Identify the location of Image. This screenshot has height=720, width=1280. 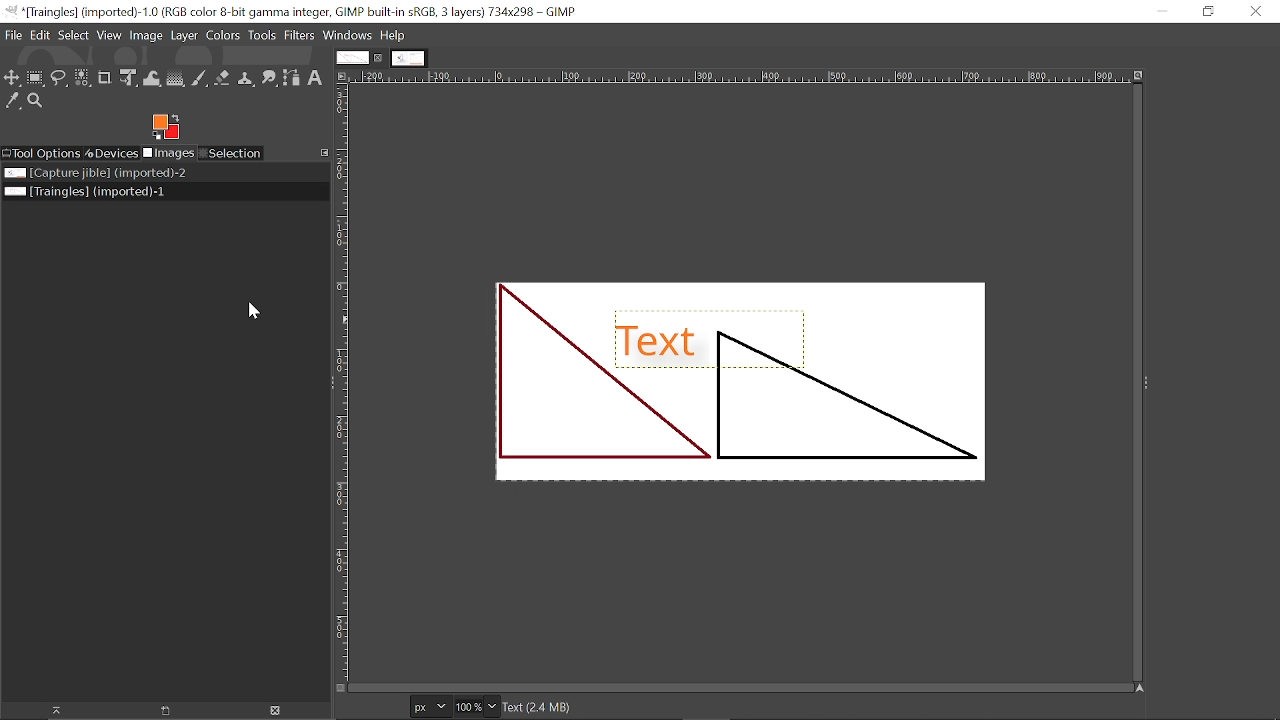
(146, 36).